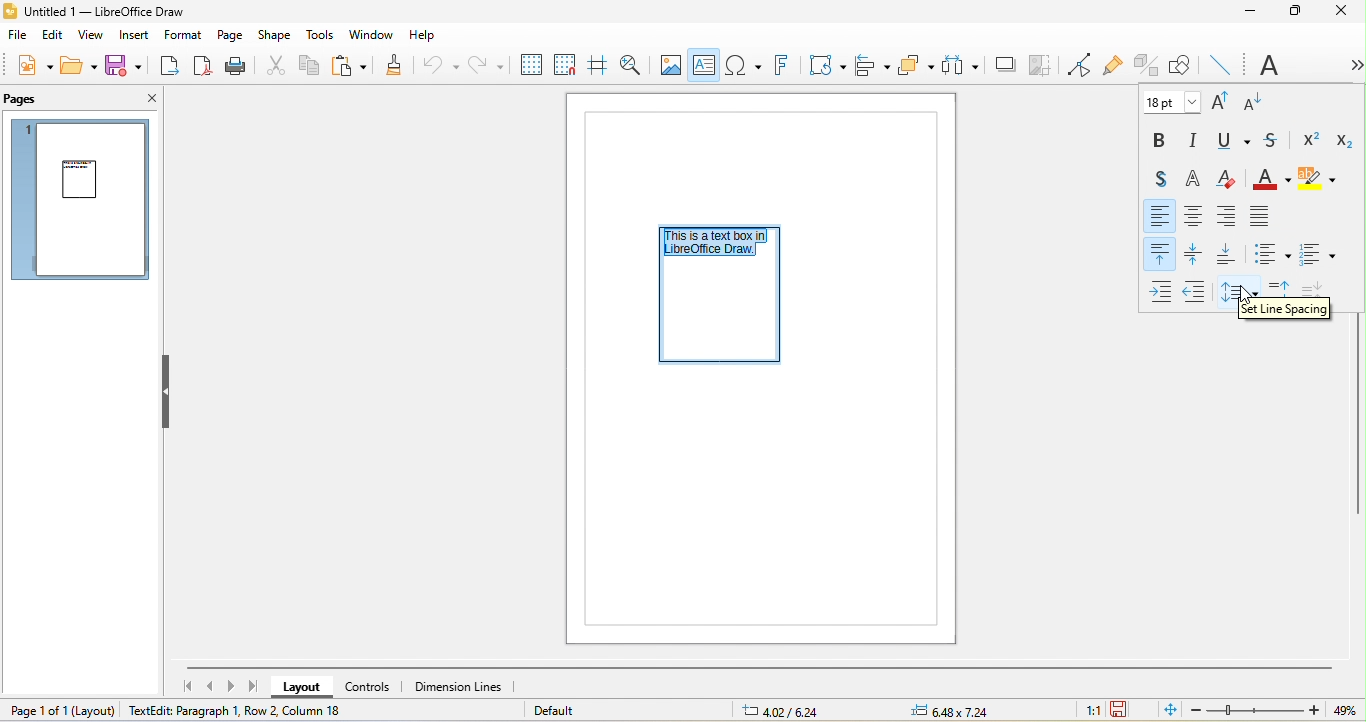 This screenshot has width=1366, height=722. Describe the element at coordinates (1249, 12) in the screenshot. I see `minimize` at that location.